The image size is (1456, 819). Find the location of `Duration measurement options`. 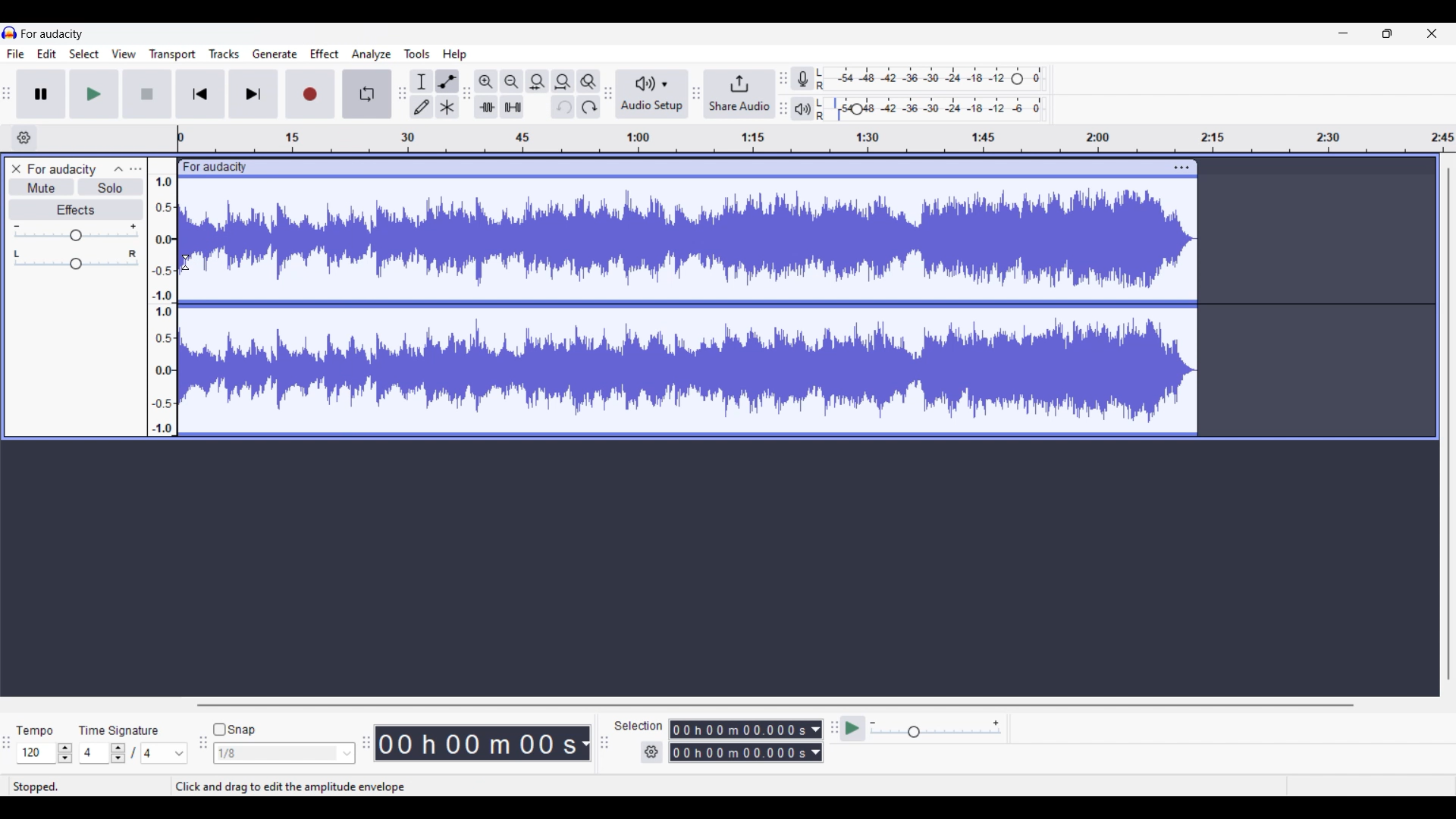

Duration measurement options is located at coordinates (585, 744).